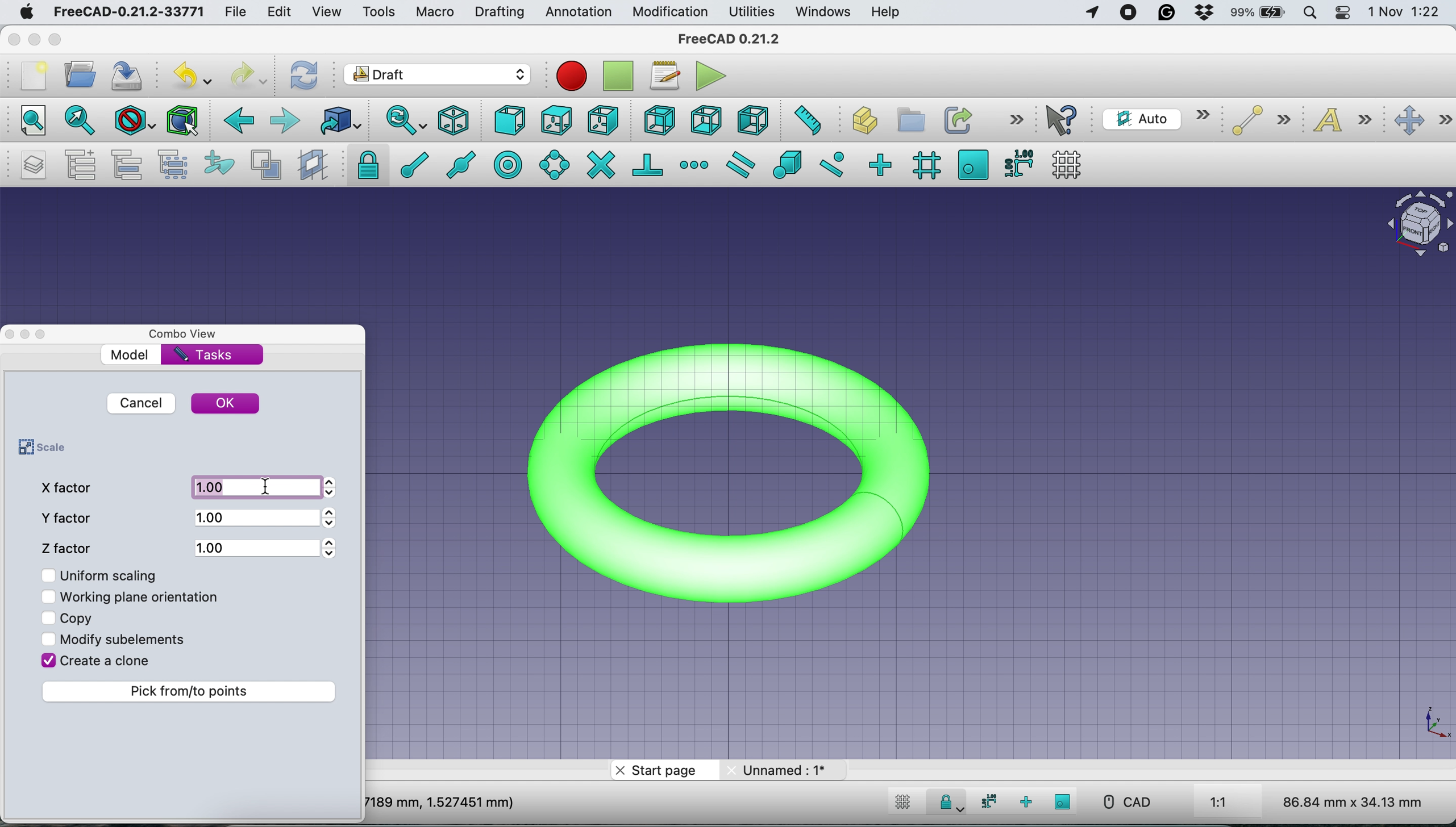 The image size is (1456, 827). Describe the element at coordinates (1017, 163) in the screenshot. I see `snap dimensions` at that location.